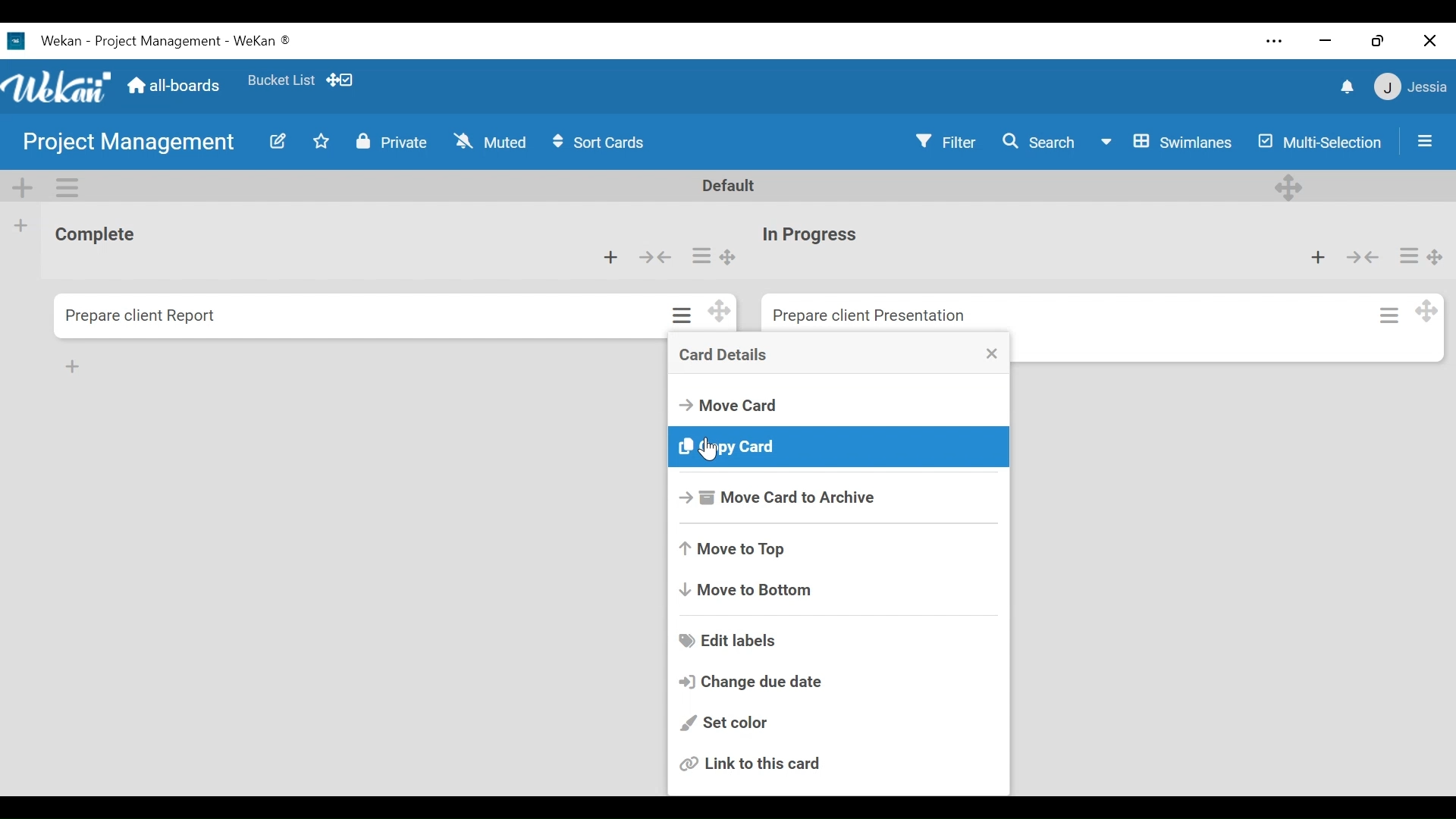  What do you see at coordinates (69, 188) in the screenshot?
I see `Swimlane Actions` at bounding box center [69, 188].